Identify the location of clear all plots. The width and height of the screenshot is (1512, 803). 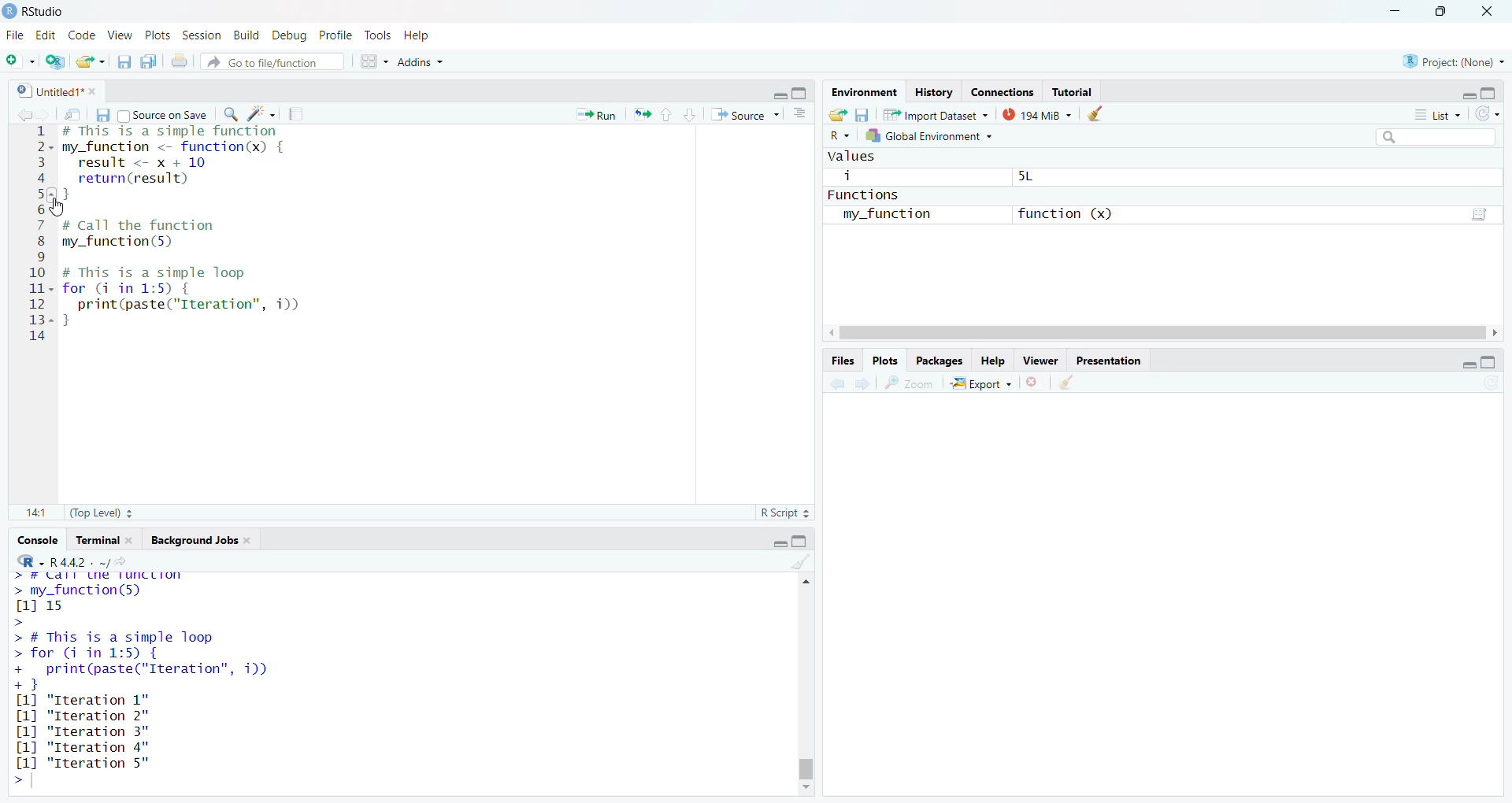
(1071, 383).